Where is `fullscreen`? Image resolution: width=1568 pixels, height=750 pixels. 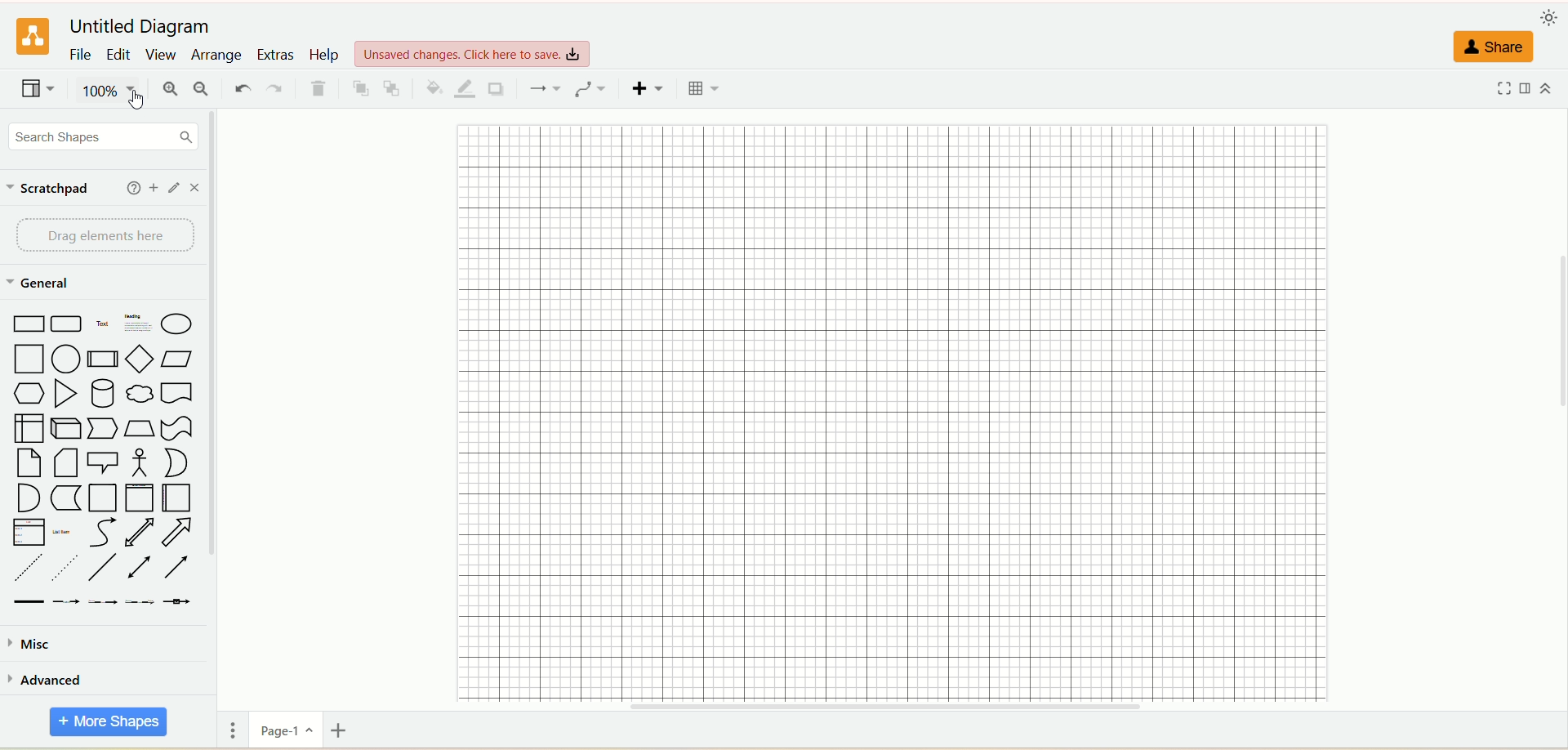 fullscreen is located at coordinates (1506, 89).